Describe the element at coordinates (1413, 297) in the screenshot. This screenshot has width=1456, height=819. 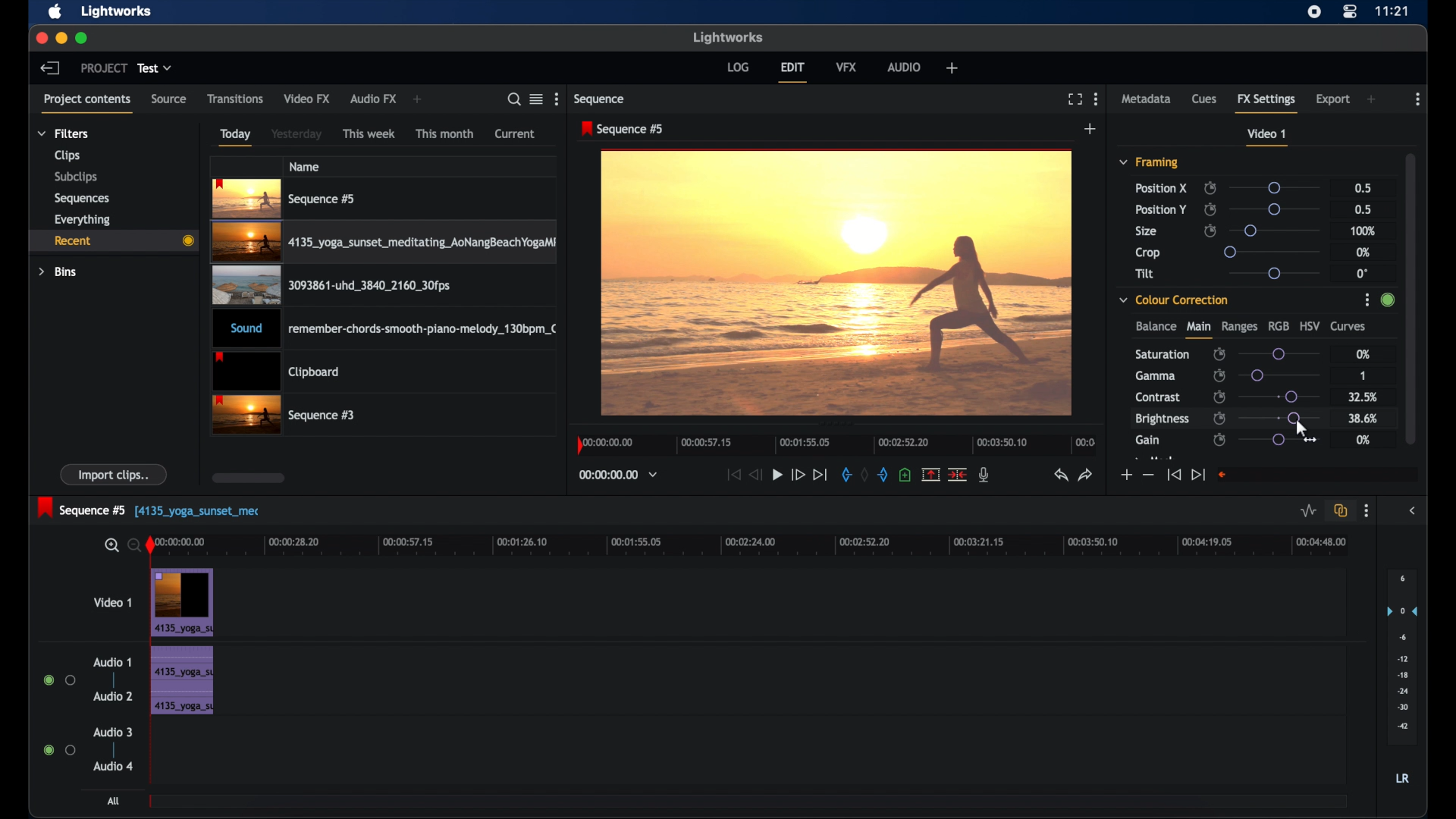
I see `scrollbar` at that location.